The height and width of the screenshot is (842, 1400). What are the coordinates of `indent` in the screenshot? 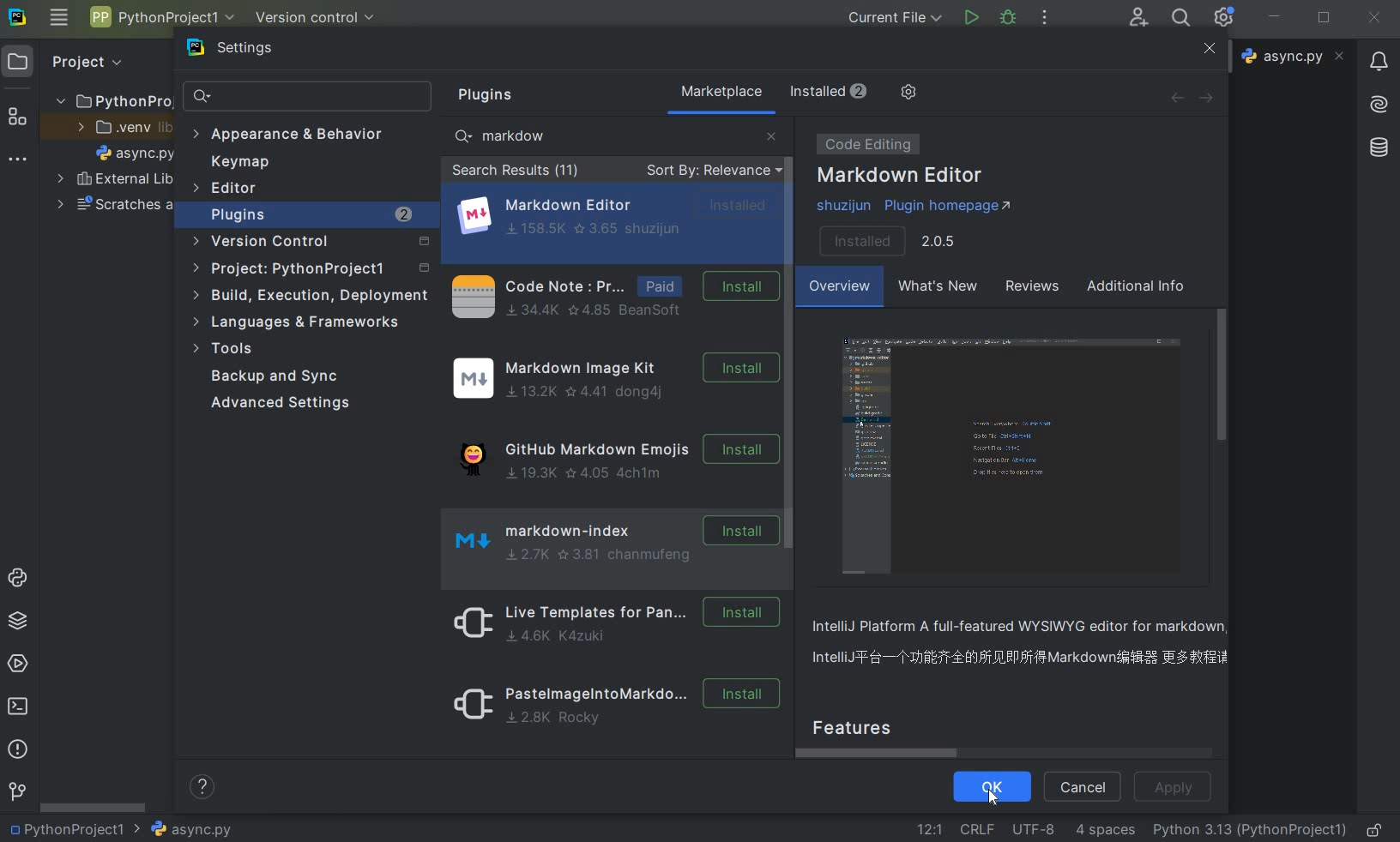 It's located at (1107, 832).